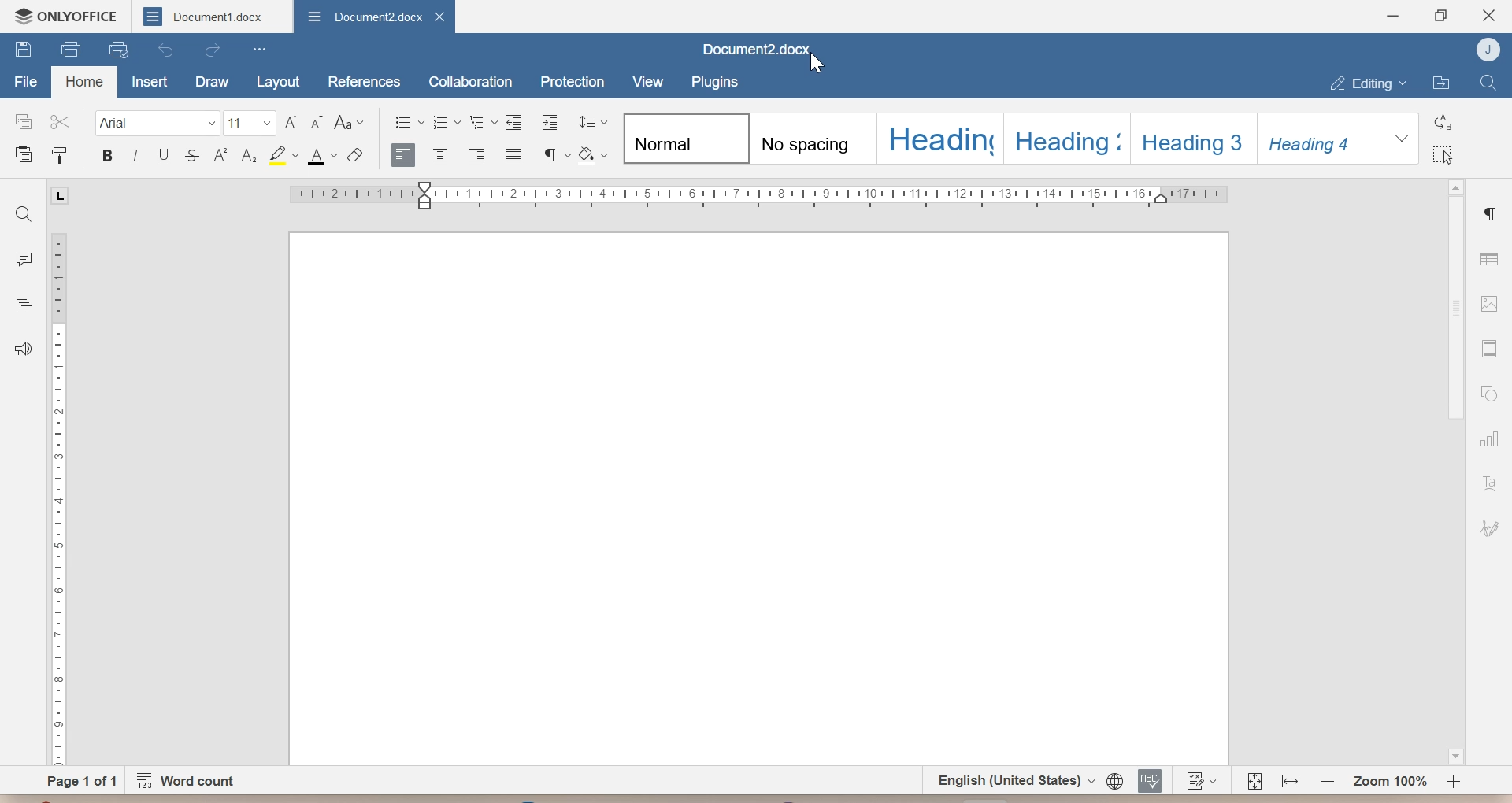 The width and height of the screenshot is (1512, 803). What do you see at coordinates (1069, 138) in the screenshot?
I see `Heading 2` at bounding box center [1069, 138].